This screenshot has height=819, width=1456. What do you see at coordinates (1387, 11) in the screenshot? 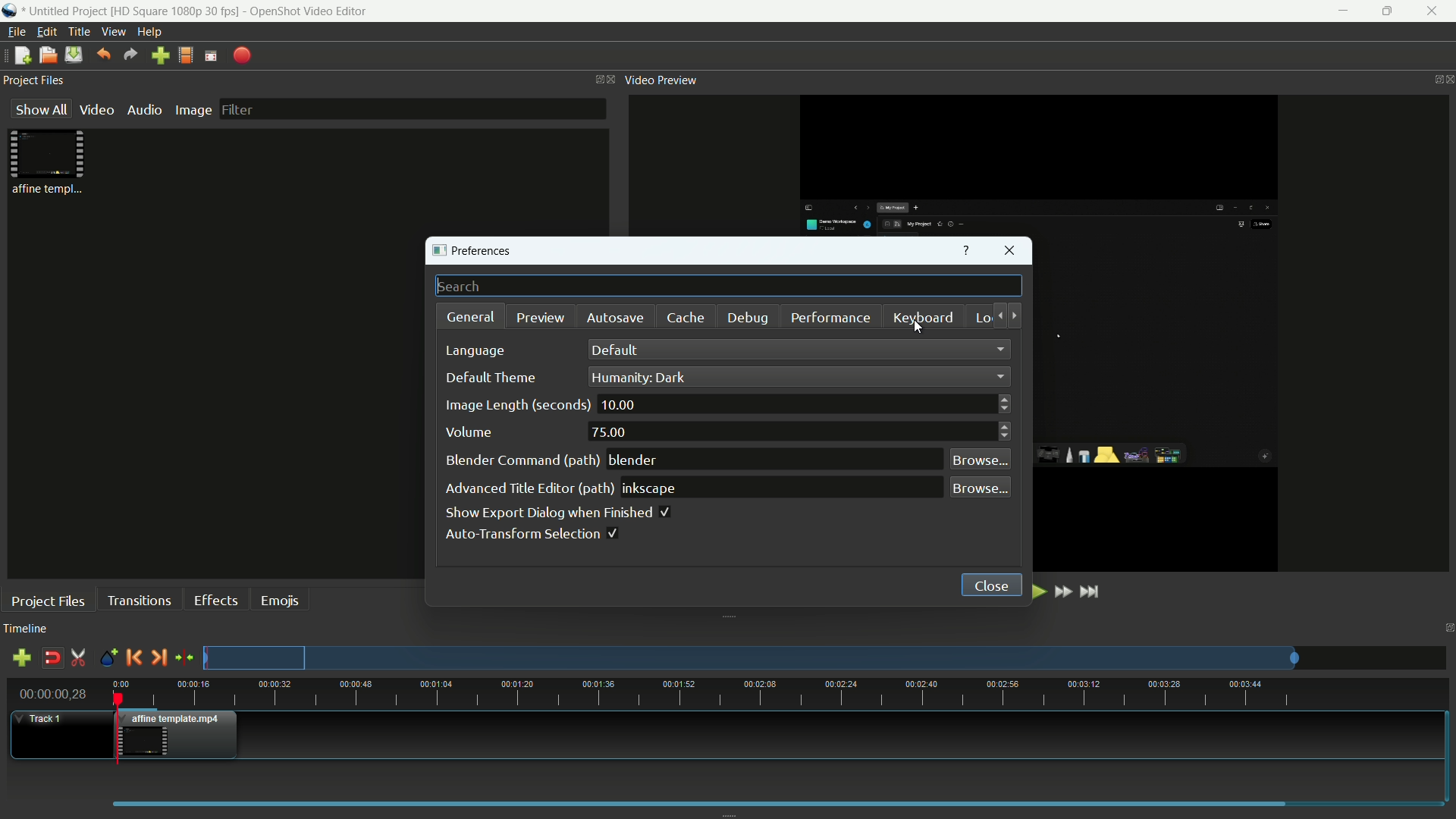
I see `maximize` at bounding box center [1387, 11].